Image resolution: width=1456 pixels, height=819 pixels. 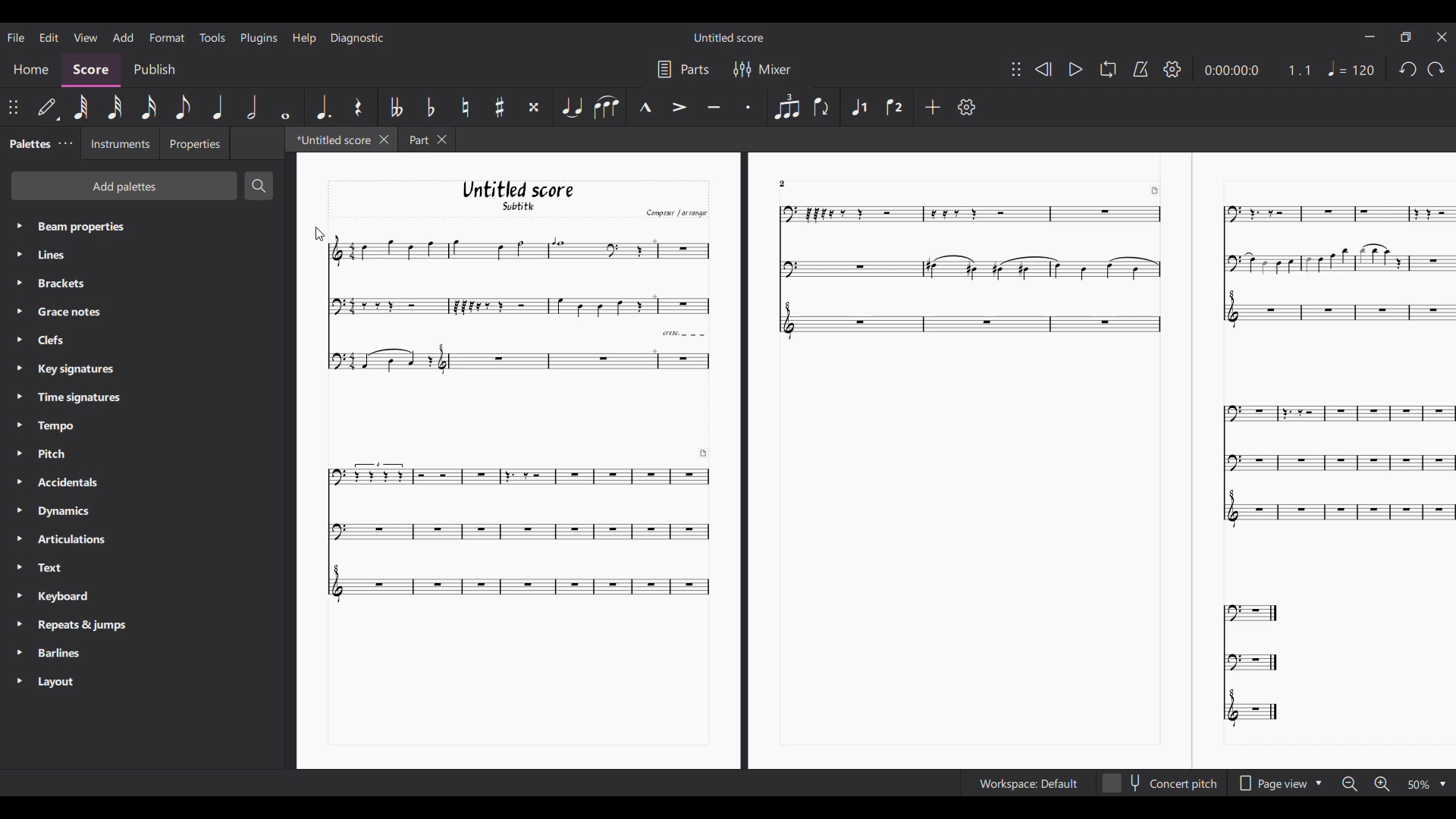 I want to click on , so click(x=17, y=568).